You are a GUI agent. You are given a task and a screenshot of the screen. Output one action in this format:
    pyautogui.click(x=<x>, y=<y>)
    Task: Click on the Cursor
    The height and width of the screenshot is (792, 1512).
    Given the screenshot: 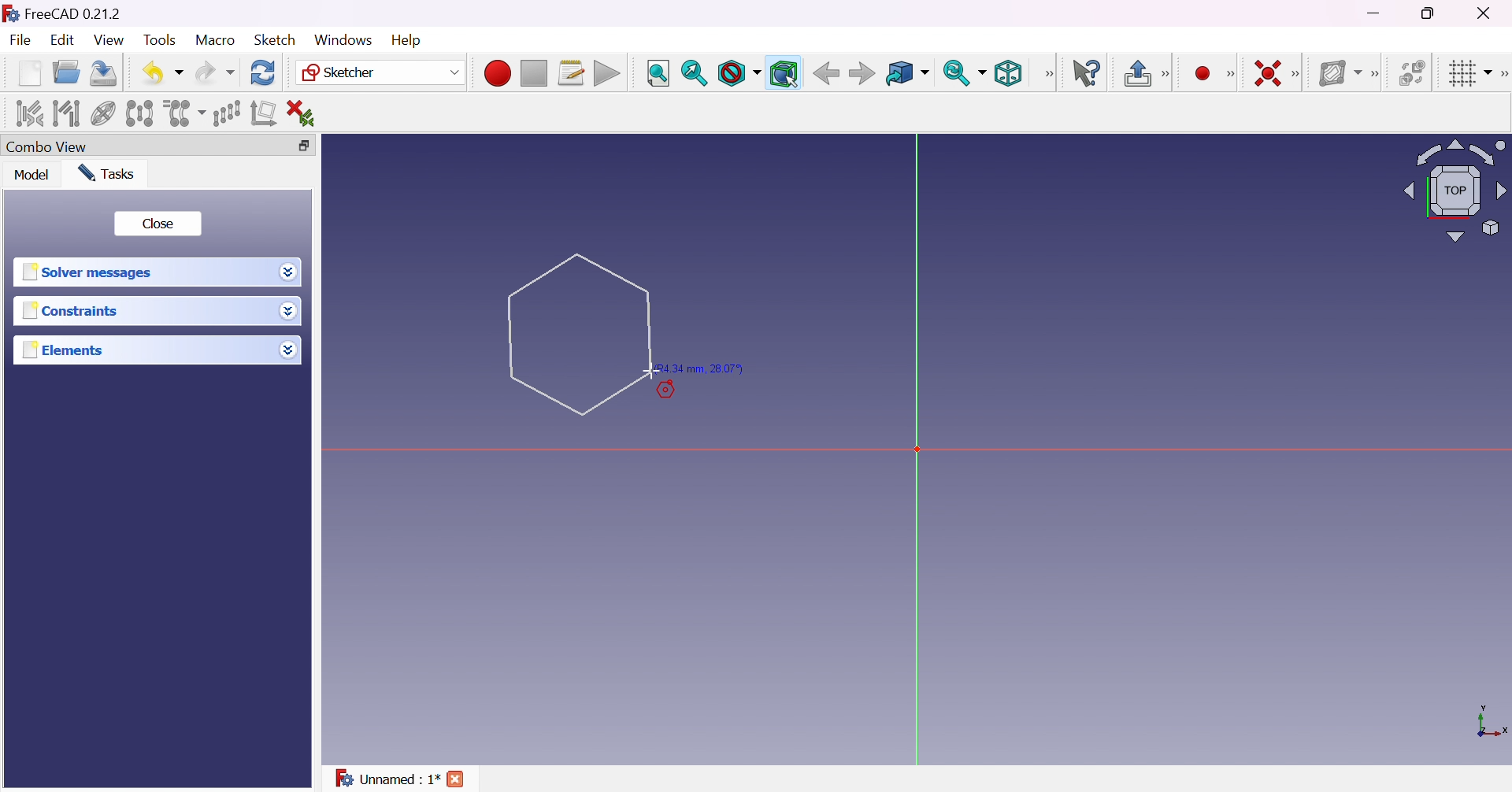 What is the action you would take?
    pyautogui.click(x=579, y=332)
    